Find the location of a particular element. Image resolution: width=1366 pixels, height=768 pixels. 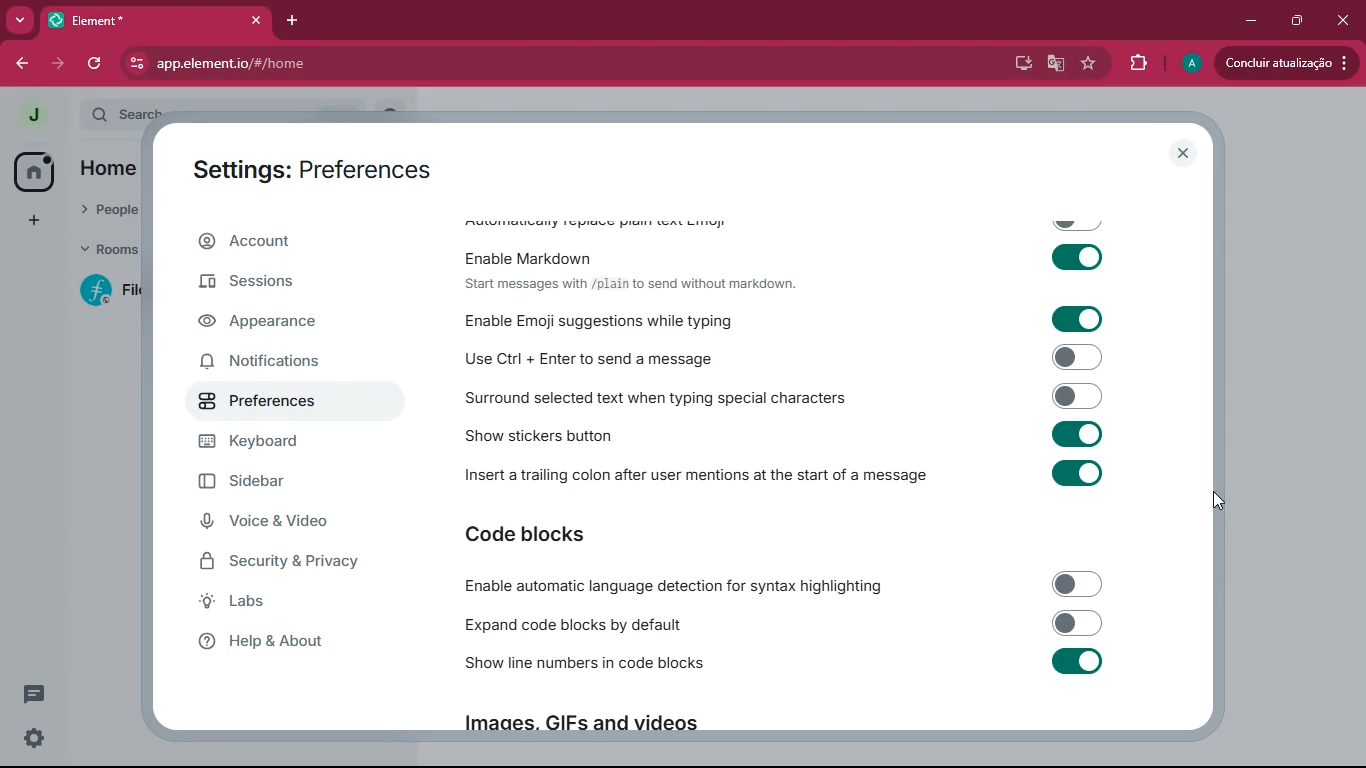

add is located at coordinates (34, 221).